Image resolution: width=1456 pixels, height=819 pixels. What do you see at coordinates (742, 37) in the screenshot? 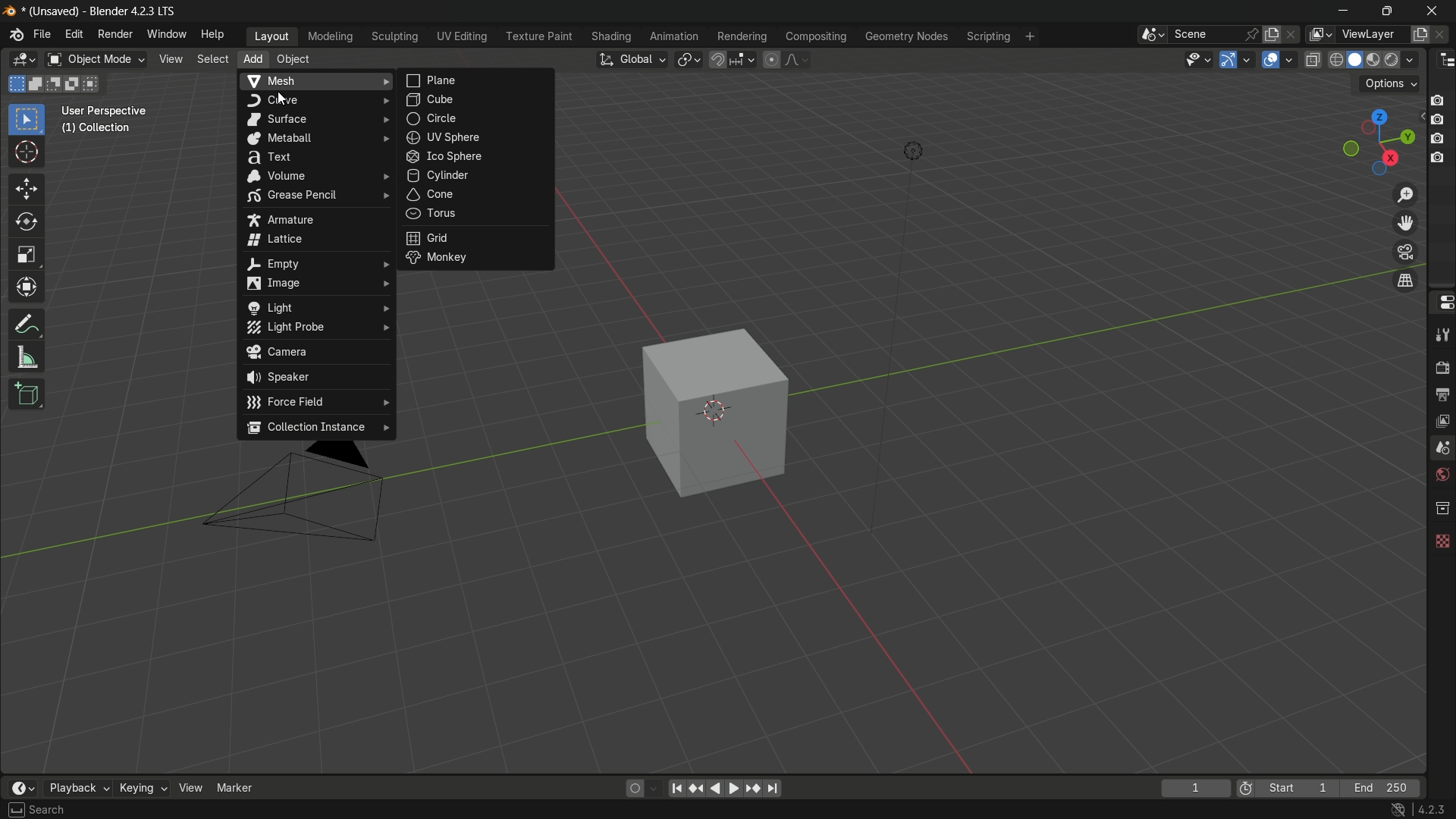
I see `rendering menu` at bounding box center [742, 37].